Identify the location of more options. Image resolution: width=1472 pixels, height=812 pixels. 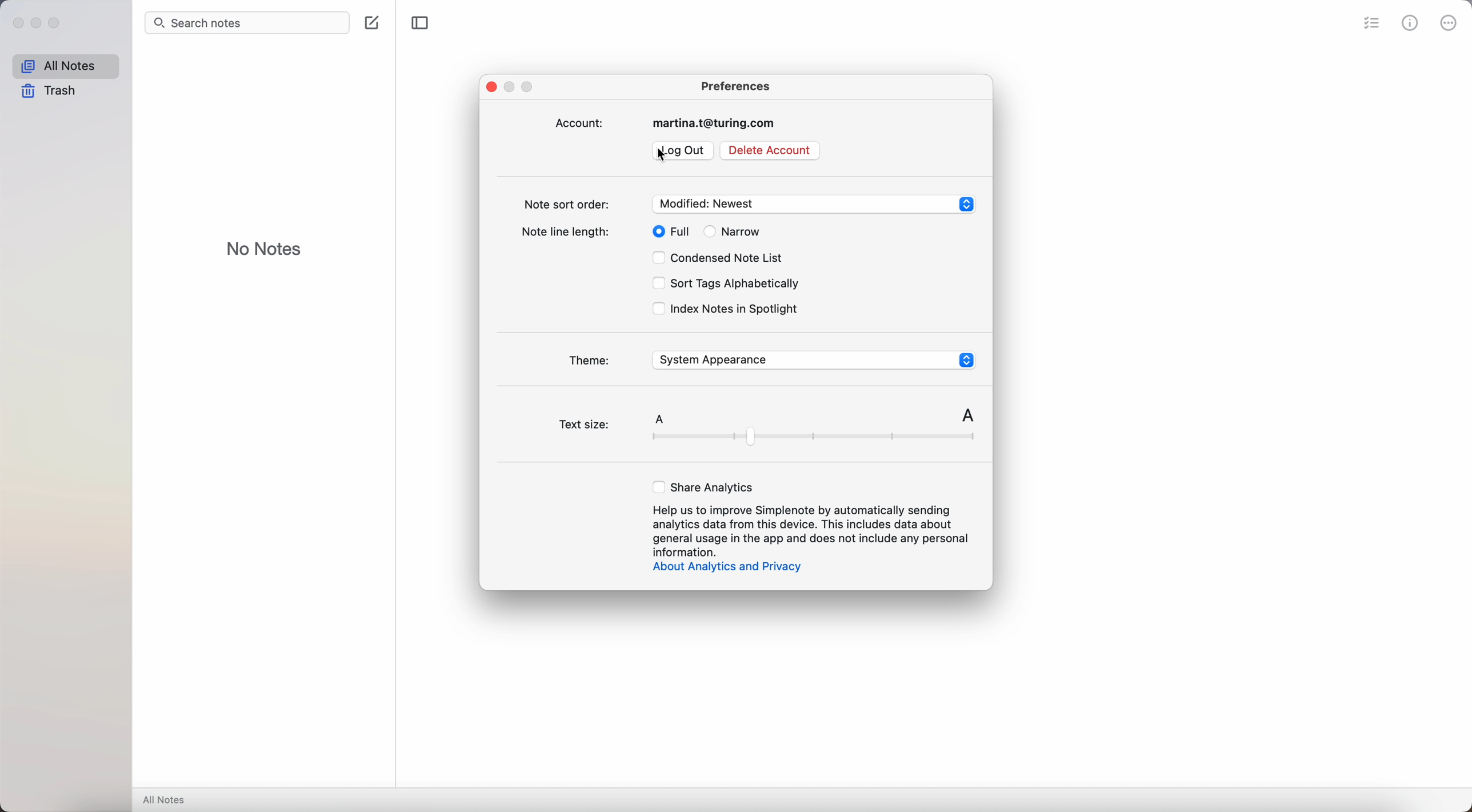
(1448, 22).